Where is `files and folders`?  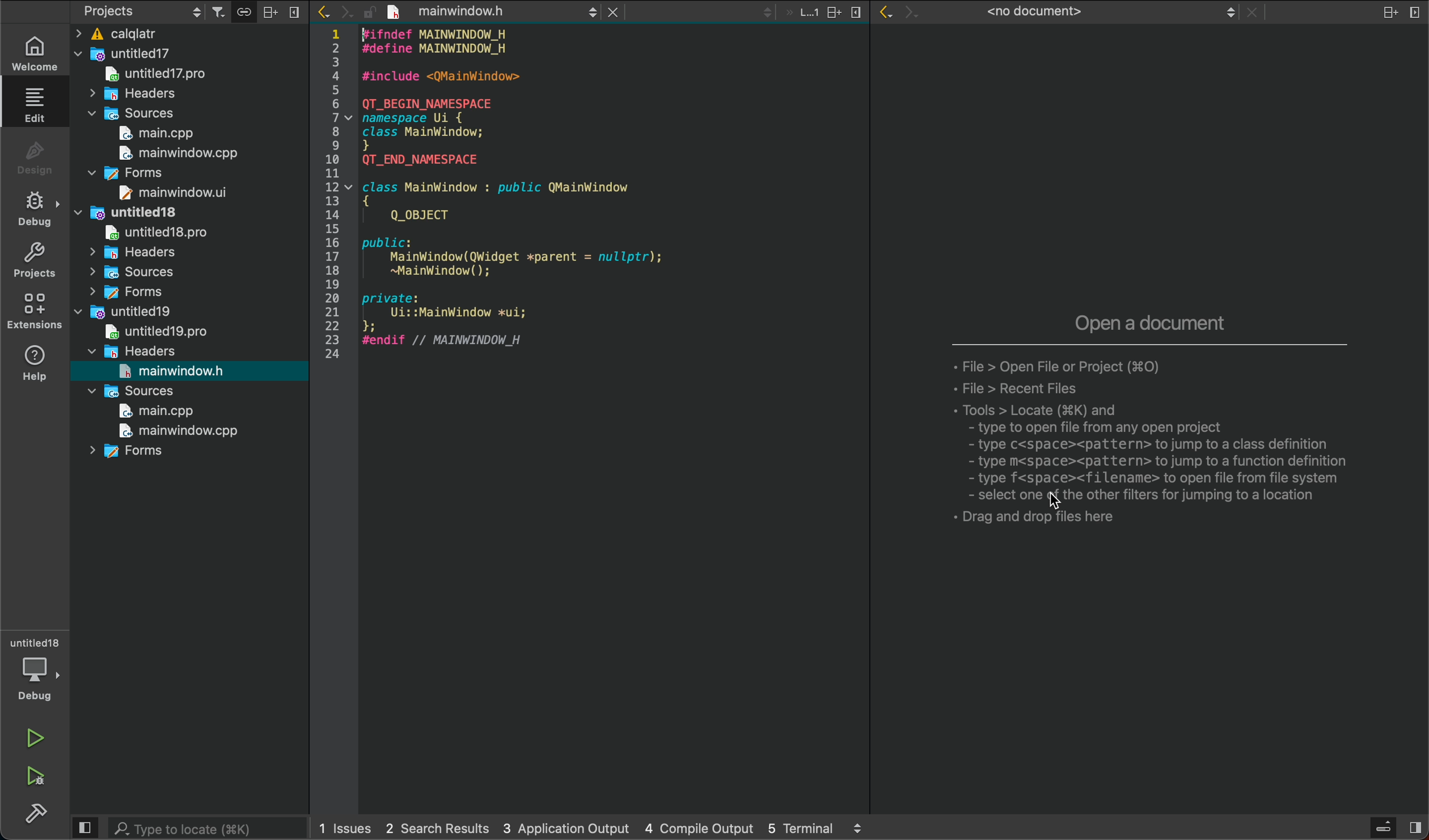 files and folders is located at coordinates (190, 35).